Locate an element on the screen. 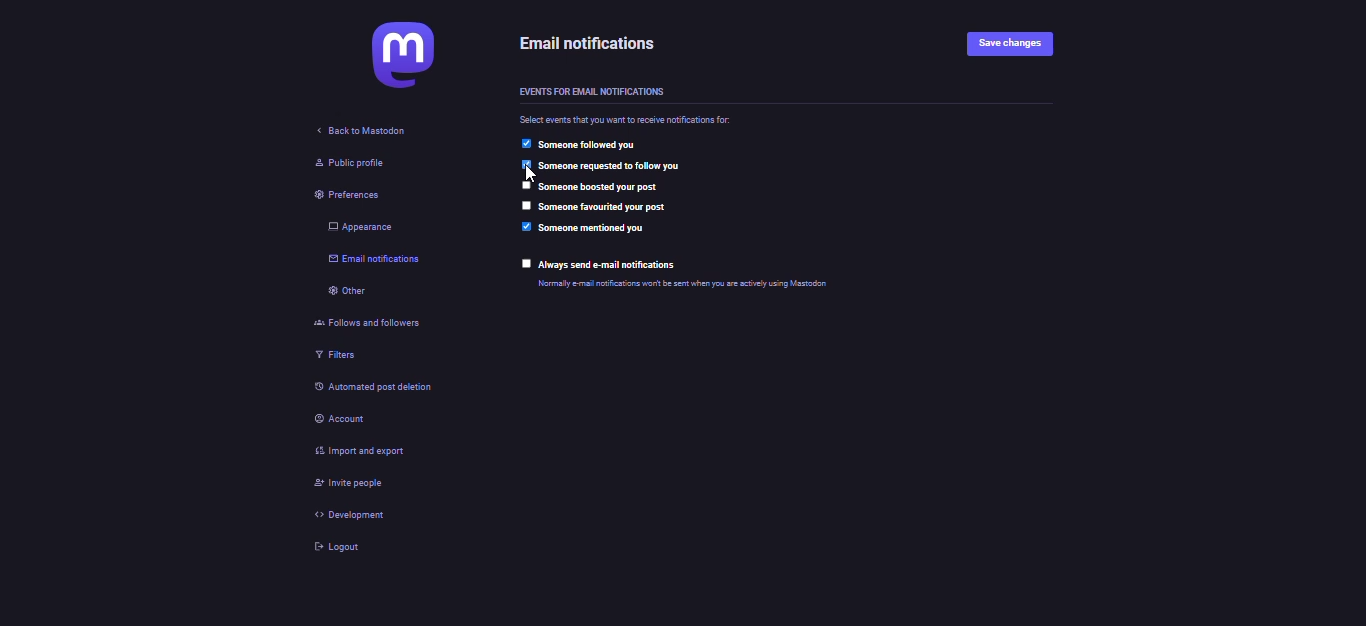  select events is located at coordinates (632, 119).